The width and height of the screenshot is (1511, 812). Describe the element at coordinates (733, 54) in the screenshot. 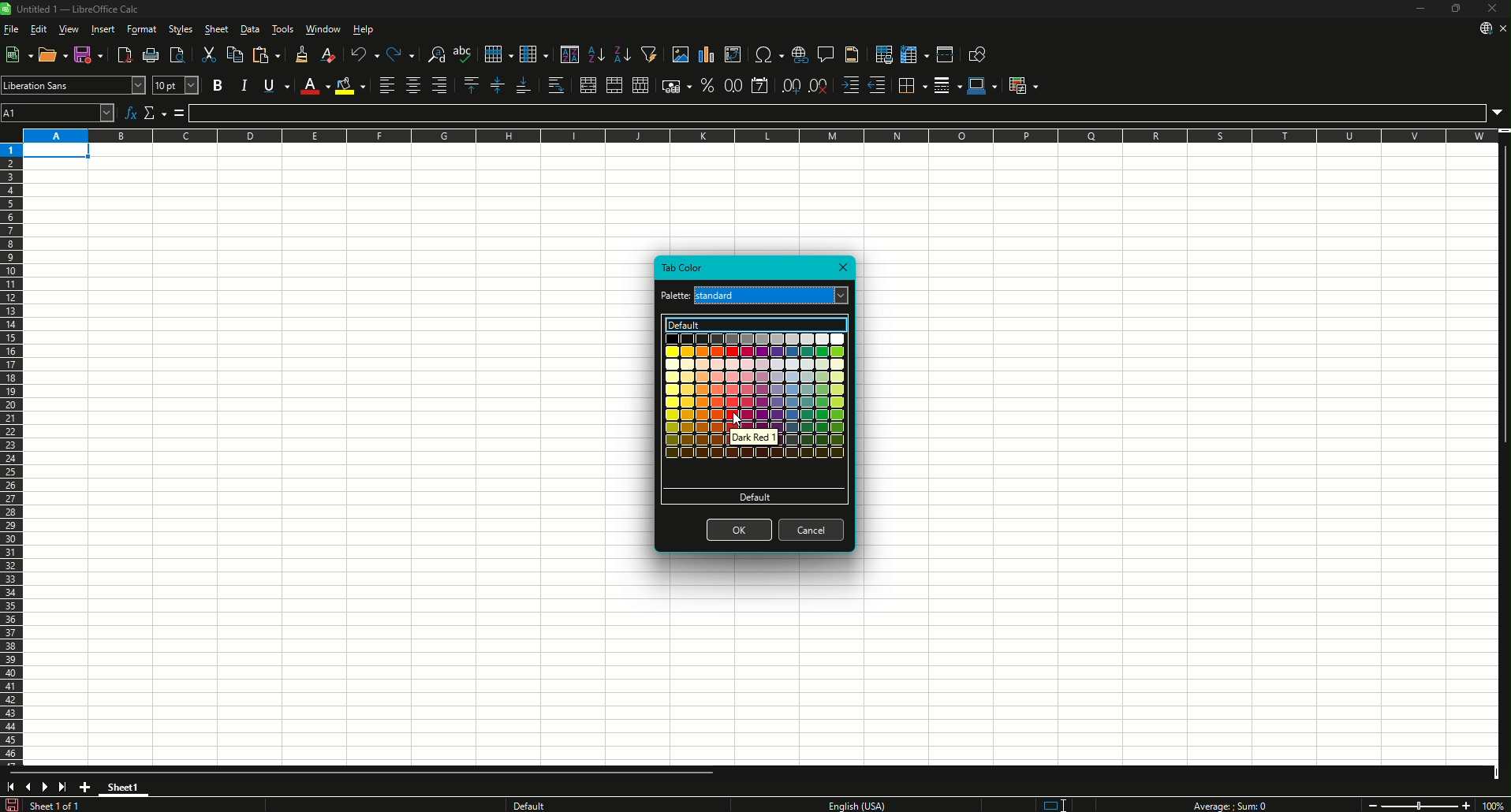

I see `Insert or Edit Pivot` at that location.